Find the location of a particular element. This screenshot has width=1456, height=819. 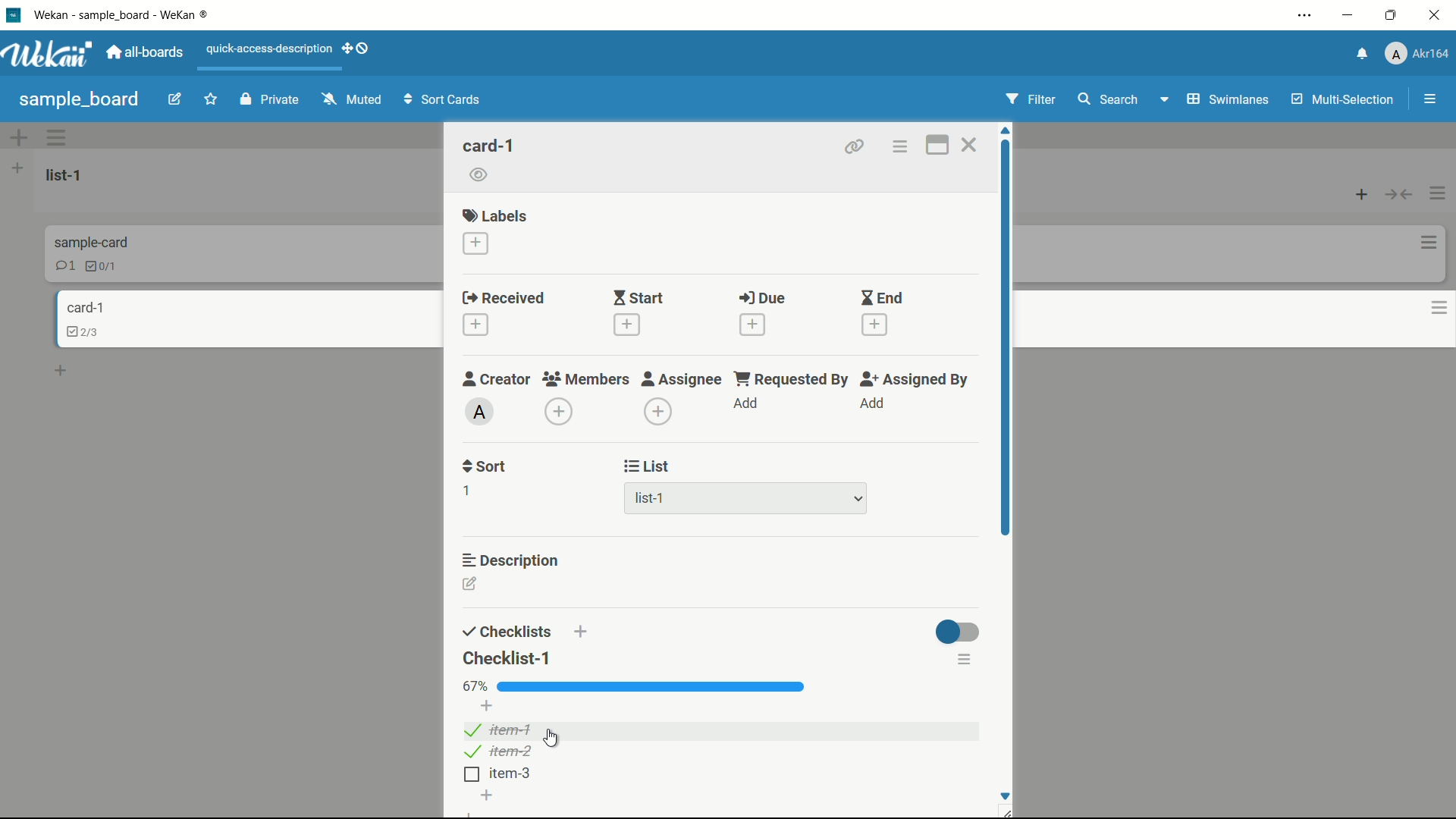

favorites is located at coordinates (212, 98).